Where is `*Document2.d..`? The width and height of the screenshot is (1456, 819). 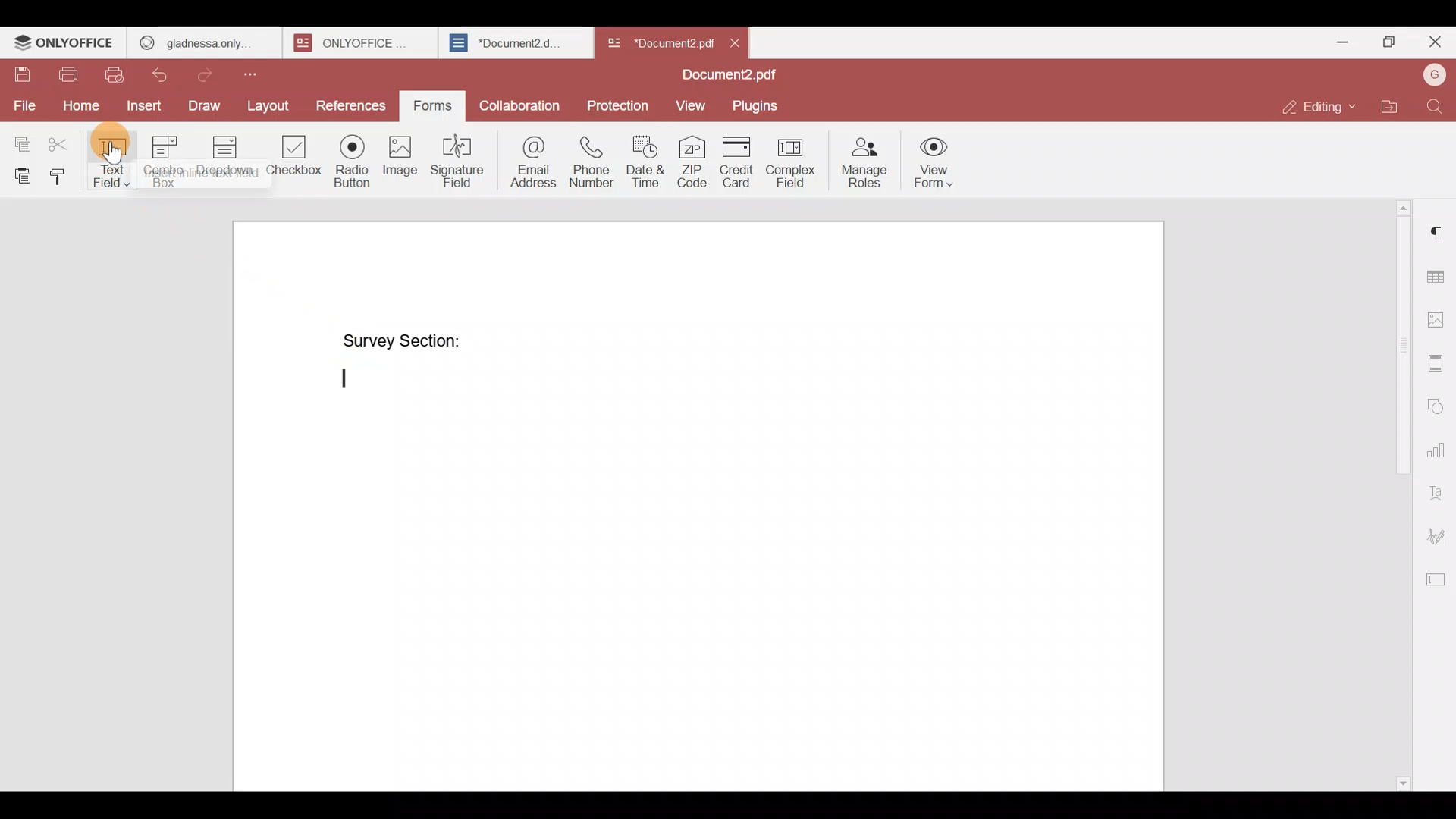
*Document2.d.. is located at coordinates (507, 41).